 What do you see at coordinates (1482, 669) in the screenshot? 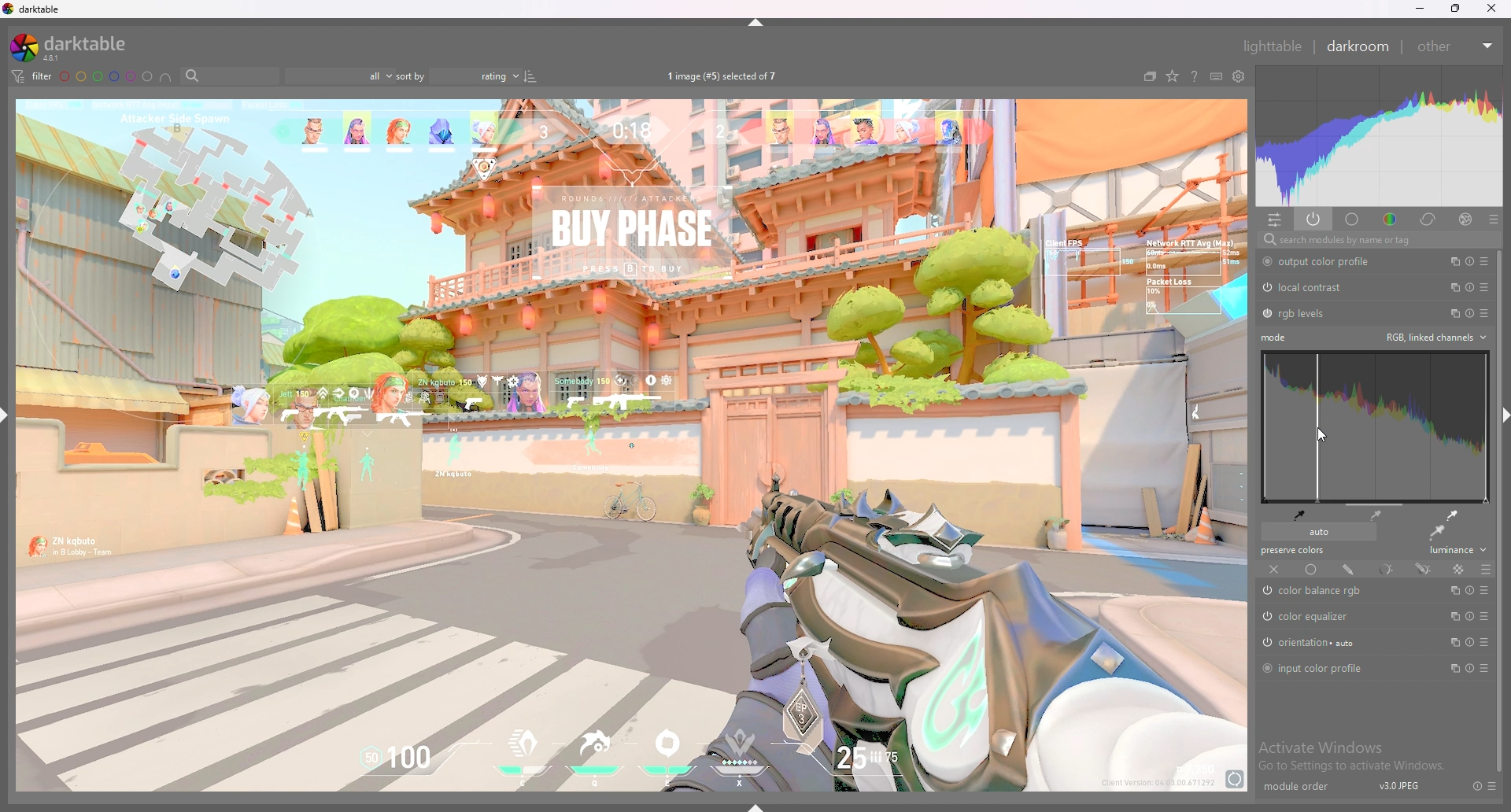
I see `more` at bounding box center [1482, 669].